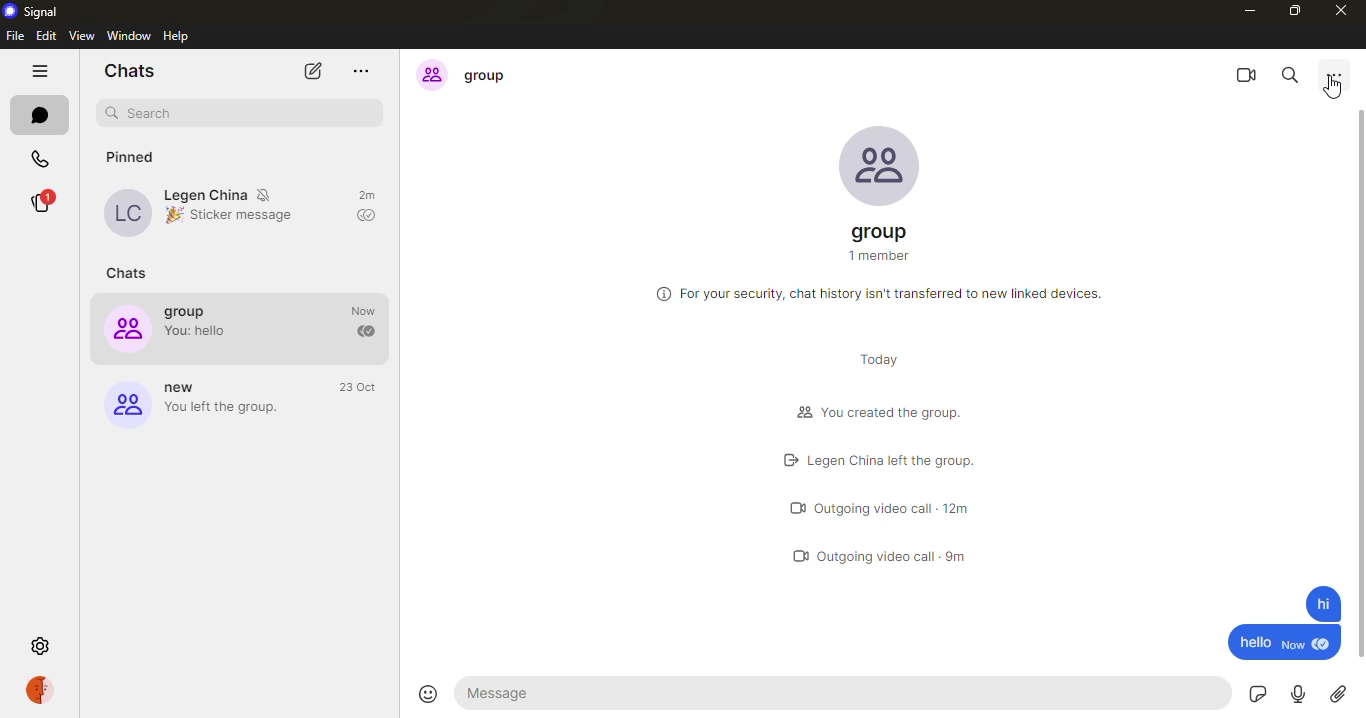 The width and height of the screenshot is (1366, 718). What do you see at coordinates (127, 329) in the screenshot?
I see `profile icon` at bounding box center [127, 329].